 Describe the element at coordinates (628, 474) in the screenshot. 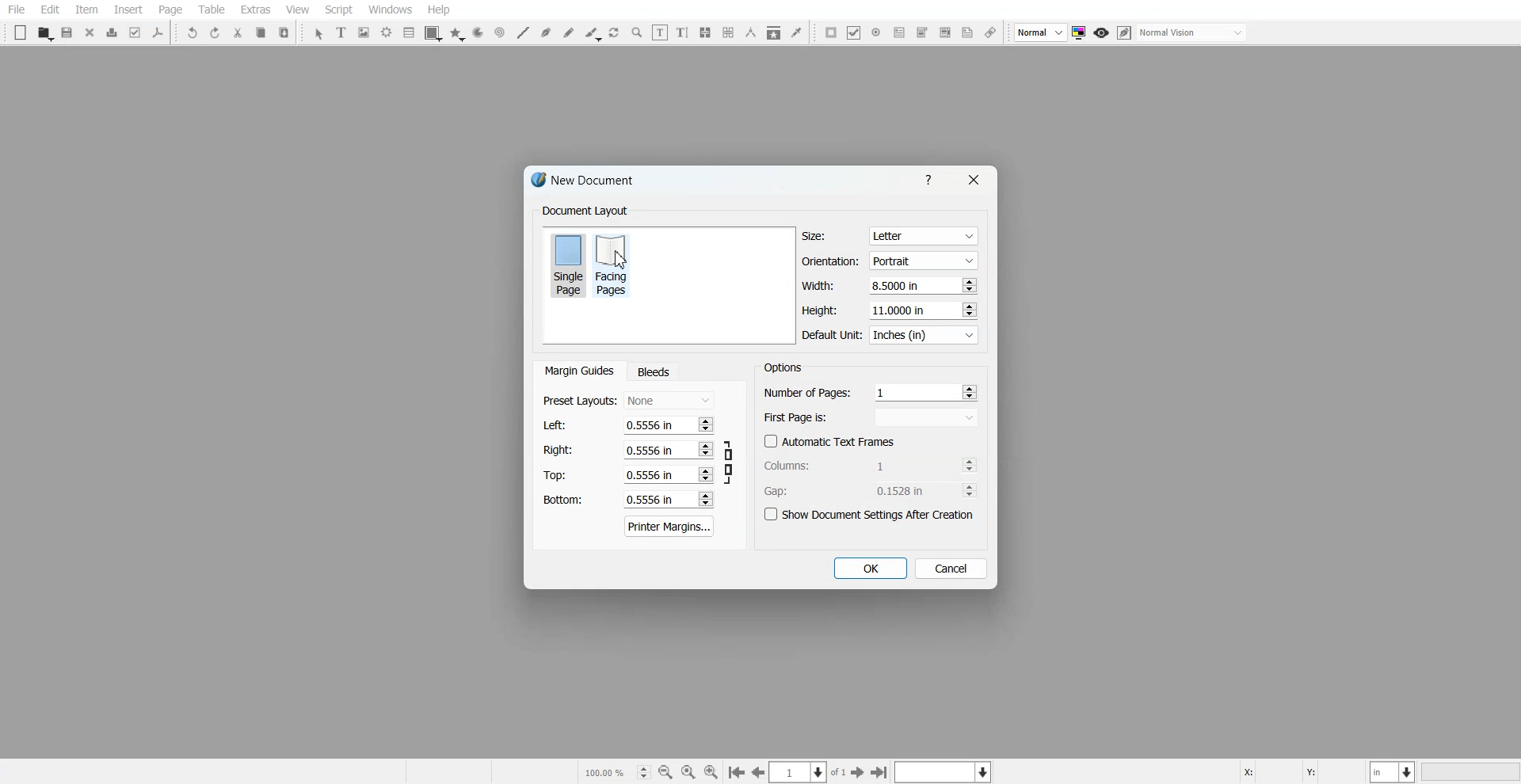

I see `Top margin adjuster` at that location.